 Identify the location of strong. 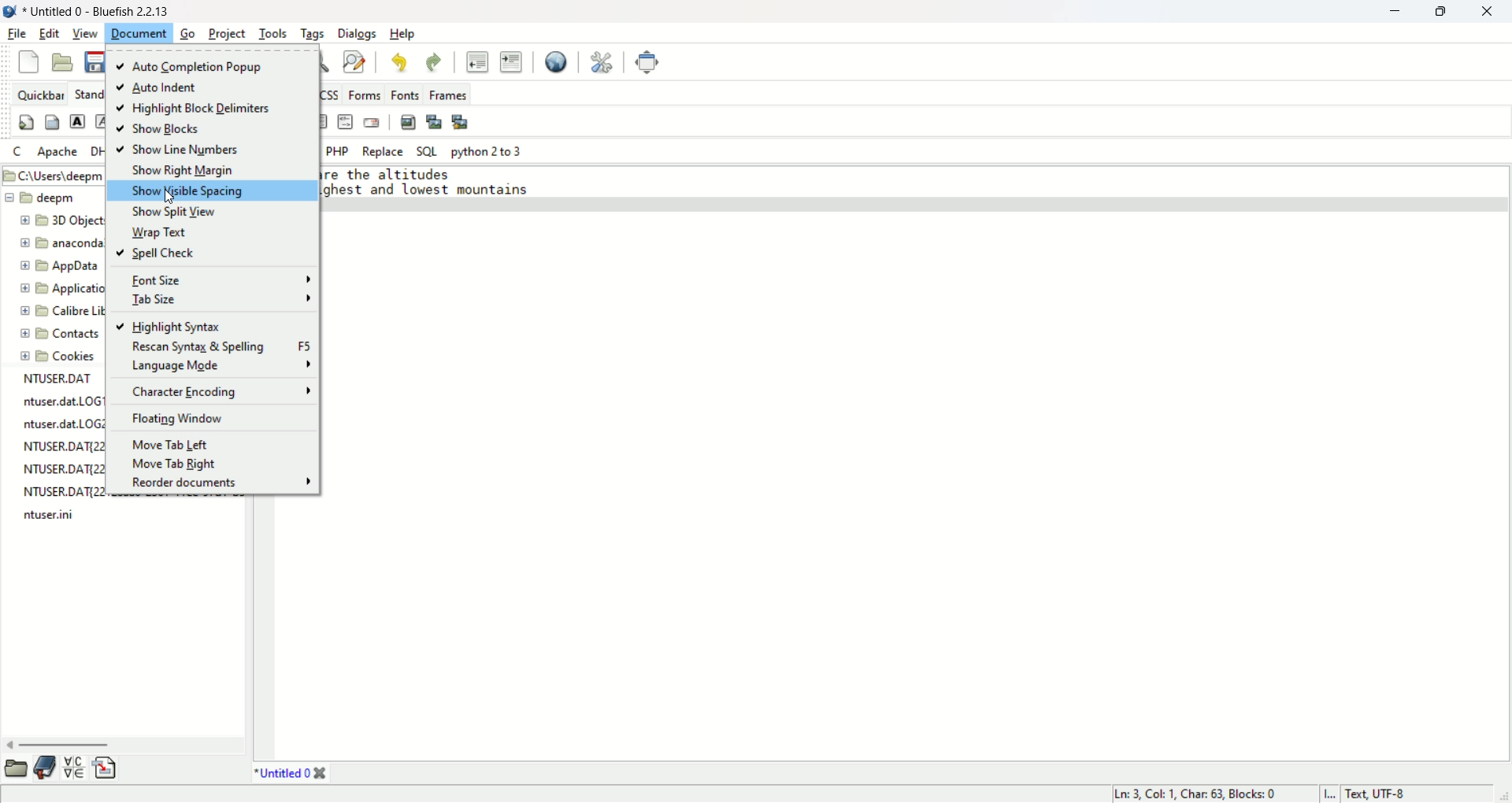
(80, 121).